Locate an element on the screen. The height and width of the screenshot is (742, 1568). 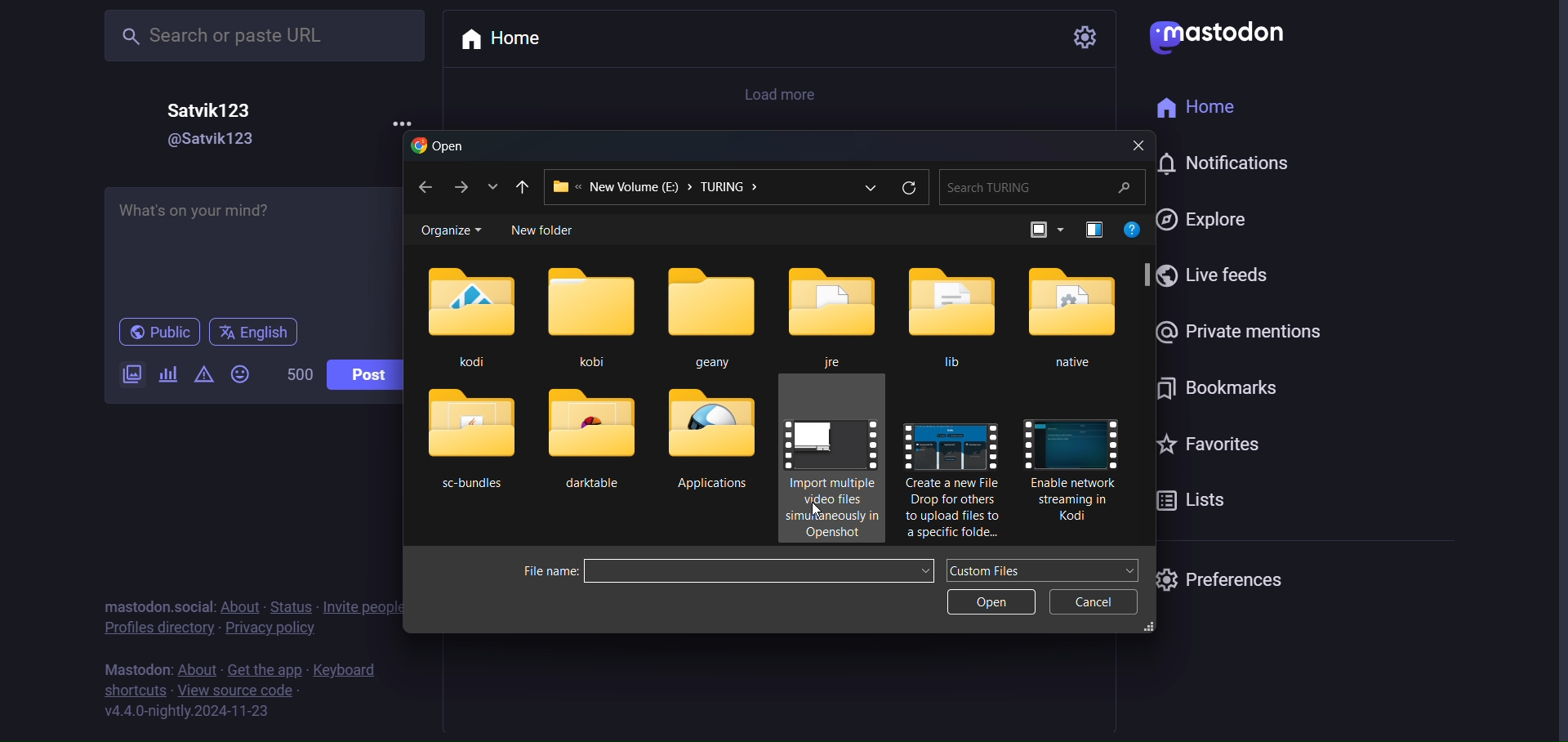
open is located at coordinates (439, 146).